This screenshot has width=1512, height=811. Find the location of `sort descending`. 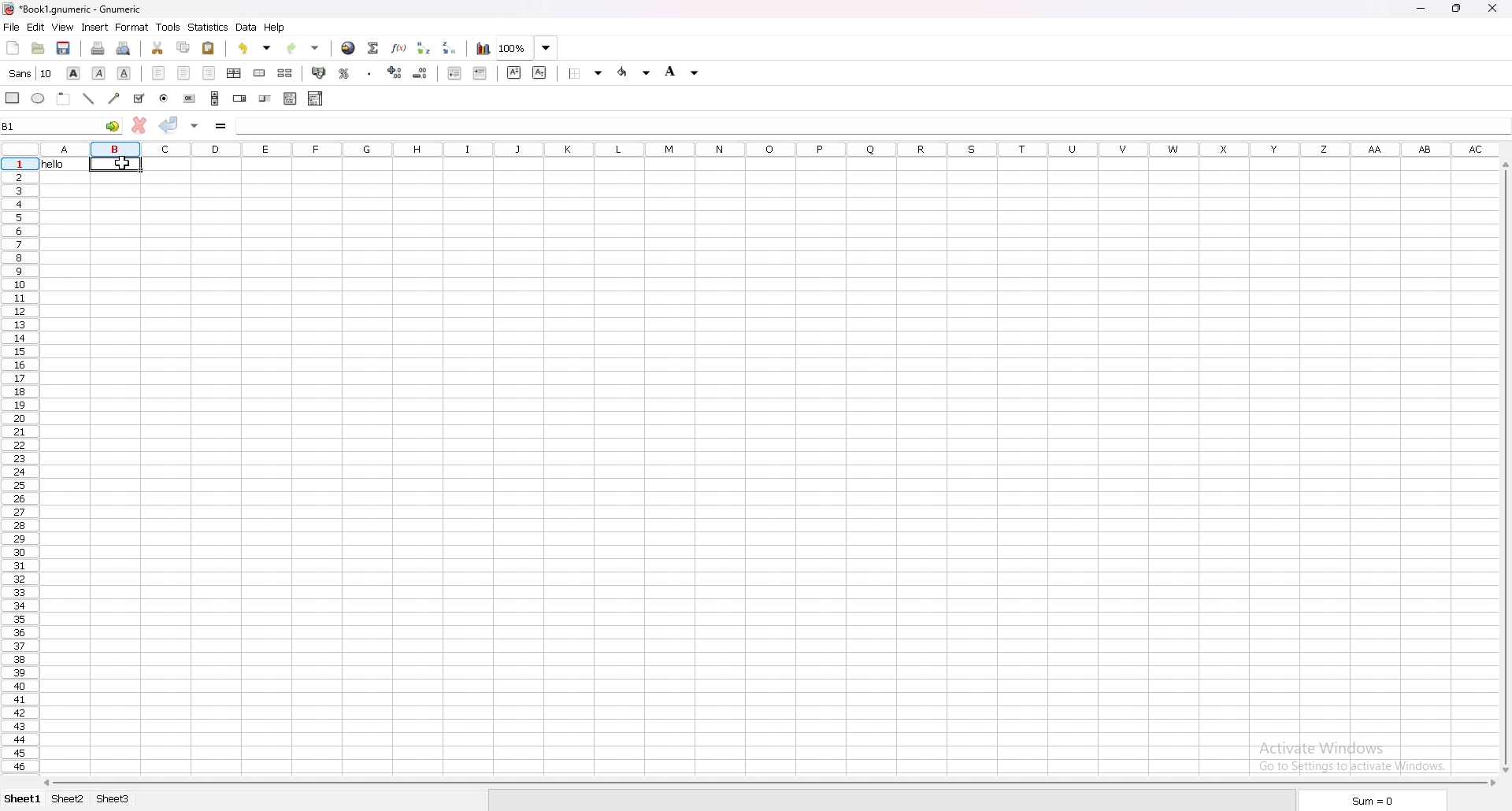

sort descending is located at coordinates (450, 47).